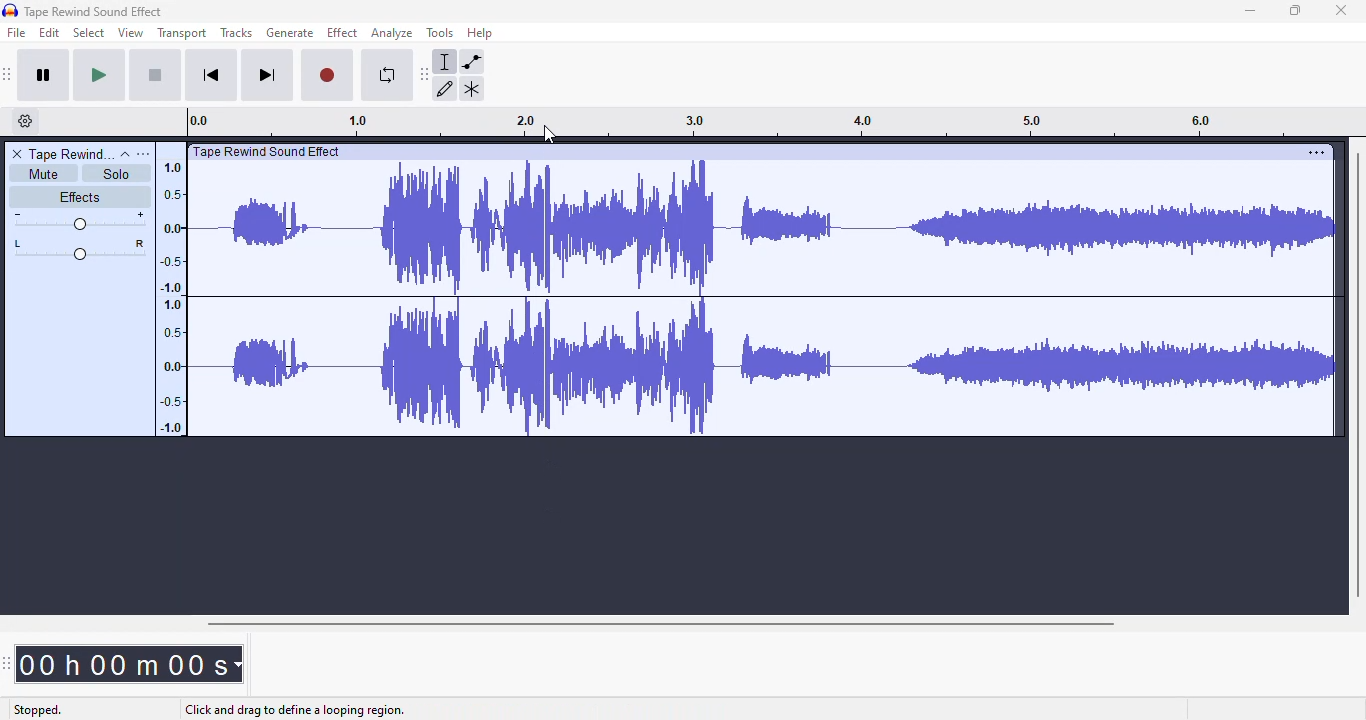 The image size is (1366, 720). What do you see at coordinates (101, 11) in the screenshot?
I see `Tape Rewind Sound Effect` at bounding box center [101, 11].